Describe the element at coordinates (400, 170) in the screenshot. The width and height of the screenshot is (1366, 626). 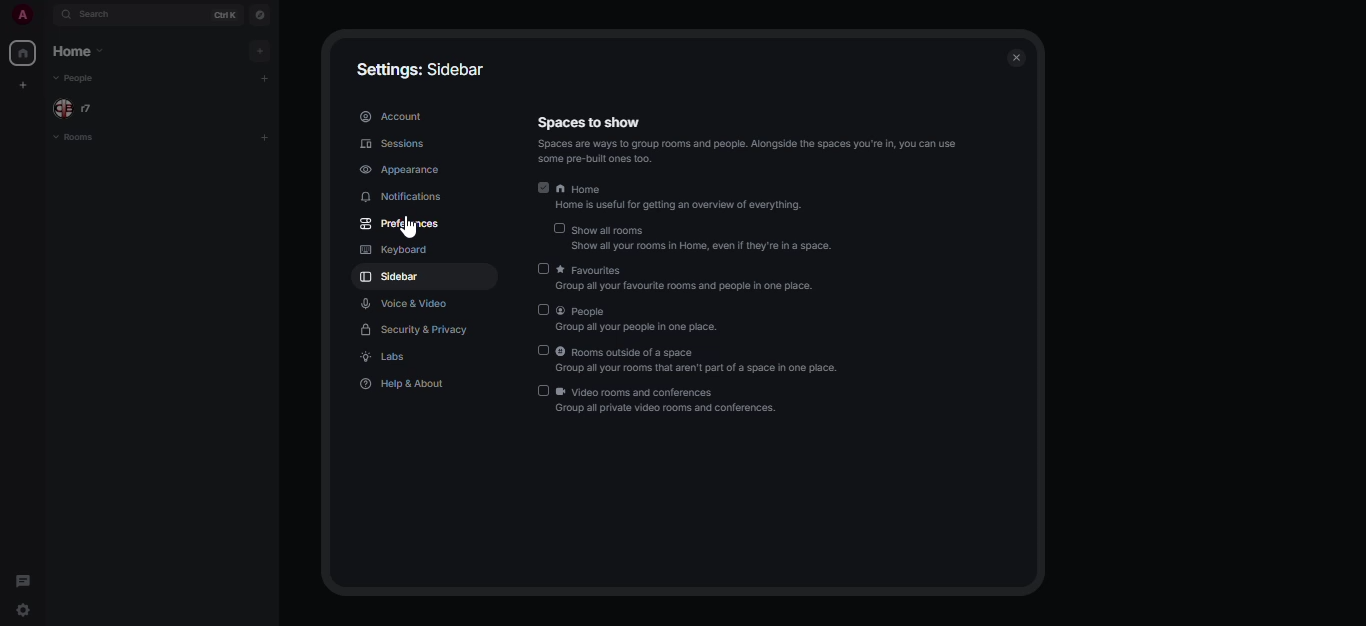
I see `appearance` at that location.